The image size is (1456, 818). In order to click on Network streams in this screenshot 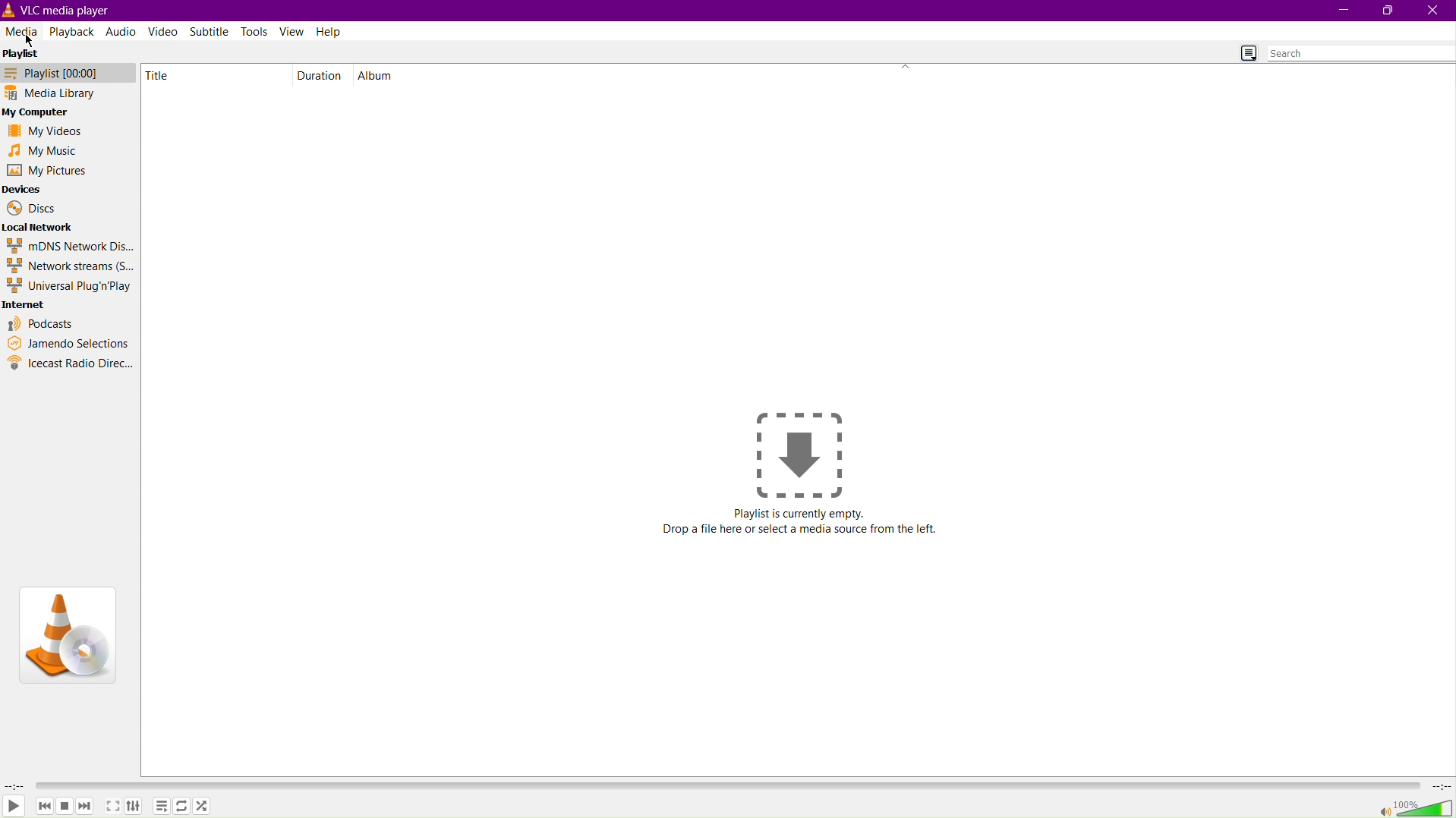, I will do `click(71, 267)`.